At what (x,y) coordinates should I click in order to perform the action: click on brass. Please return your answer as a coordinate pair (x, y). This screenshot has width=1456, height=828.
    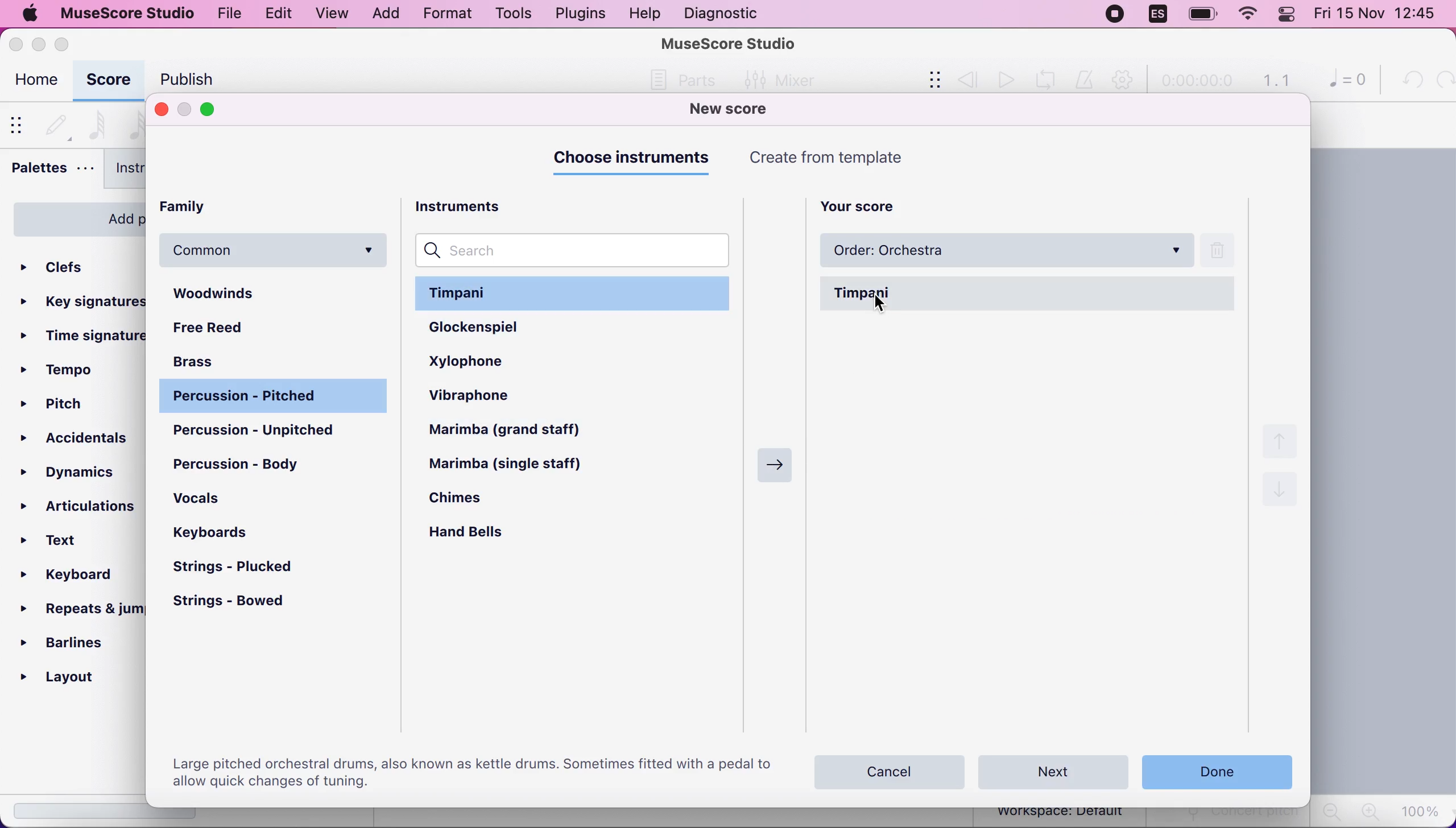
    Looking at the image, I should click on (210, 360).